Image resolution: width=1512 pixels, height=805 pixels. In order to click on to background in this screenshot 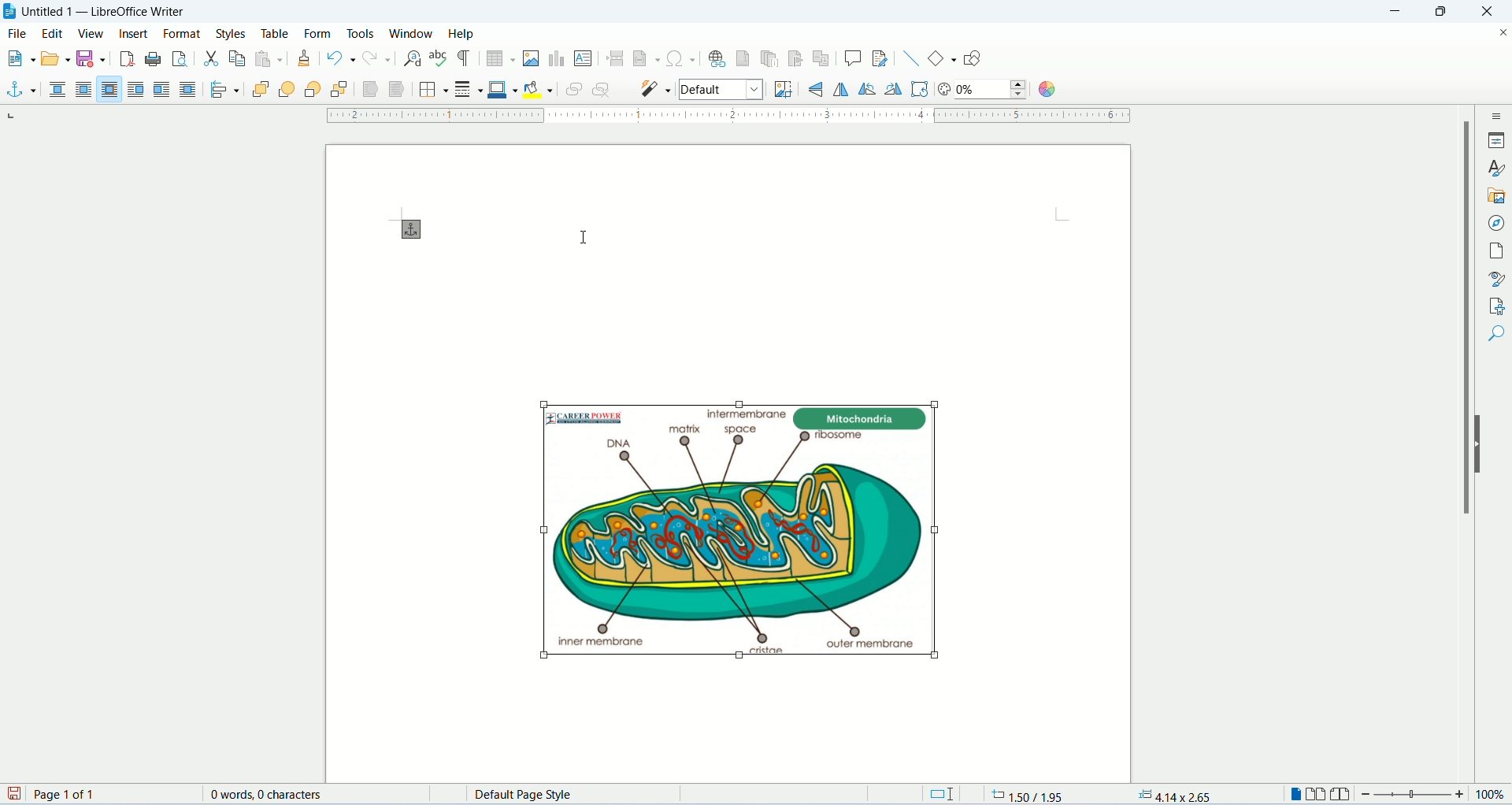, I will do `click(398, 91)`.